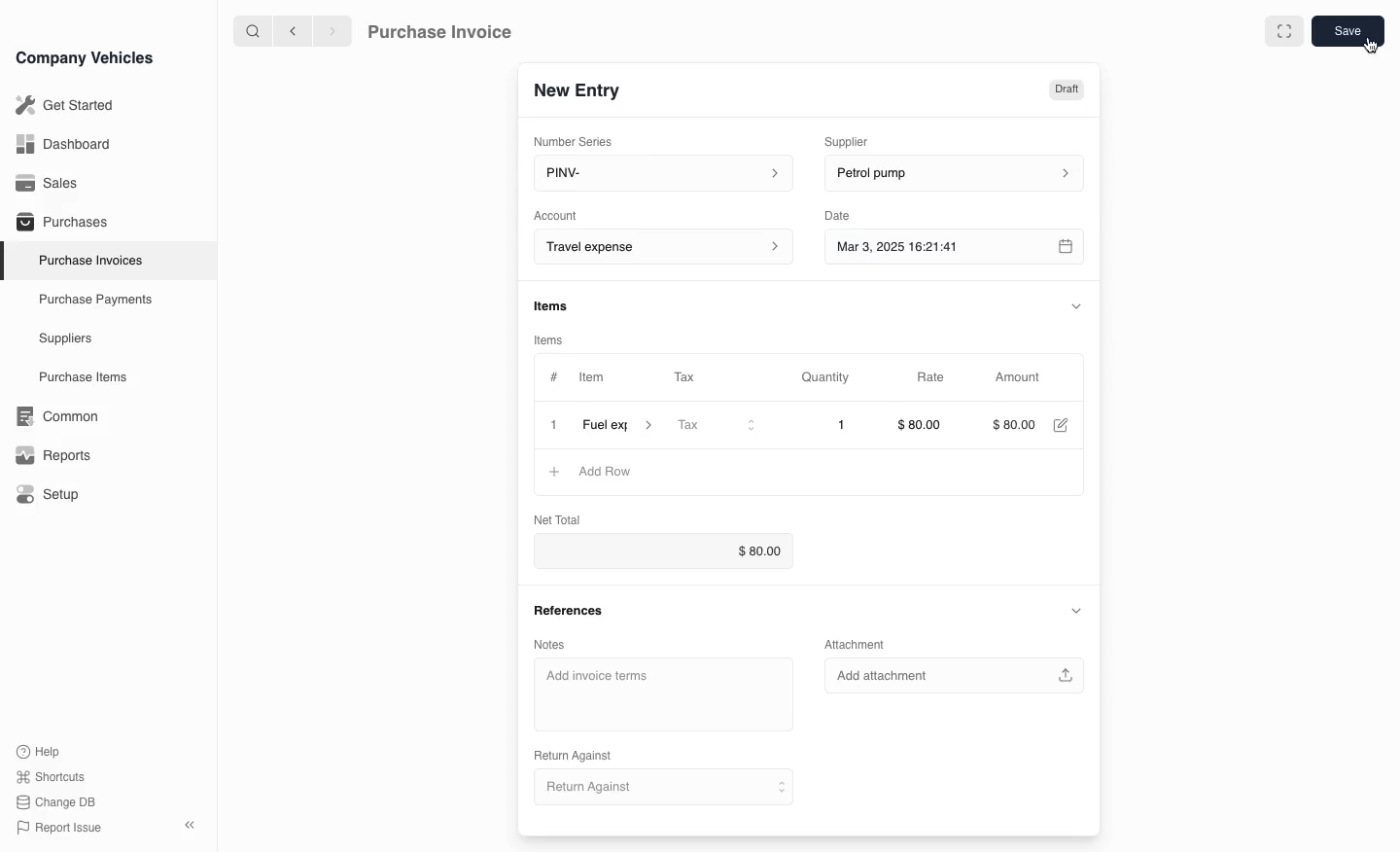 This screenshot has width=1400, height=852. I want to click on Purchase items, so click(76, 377).